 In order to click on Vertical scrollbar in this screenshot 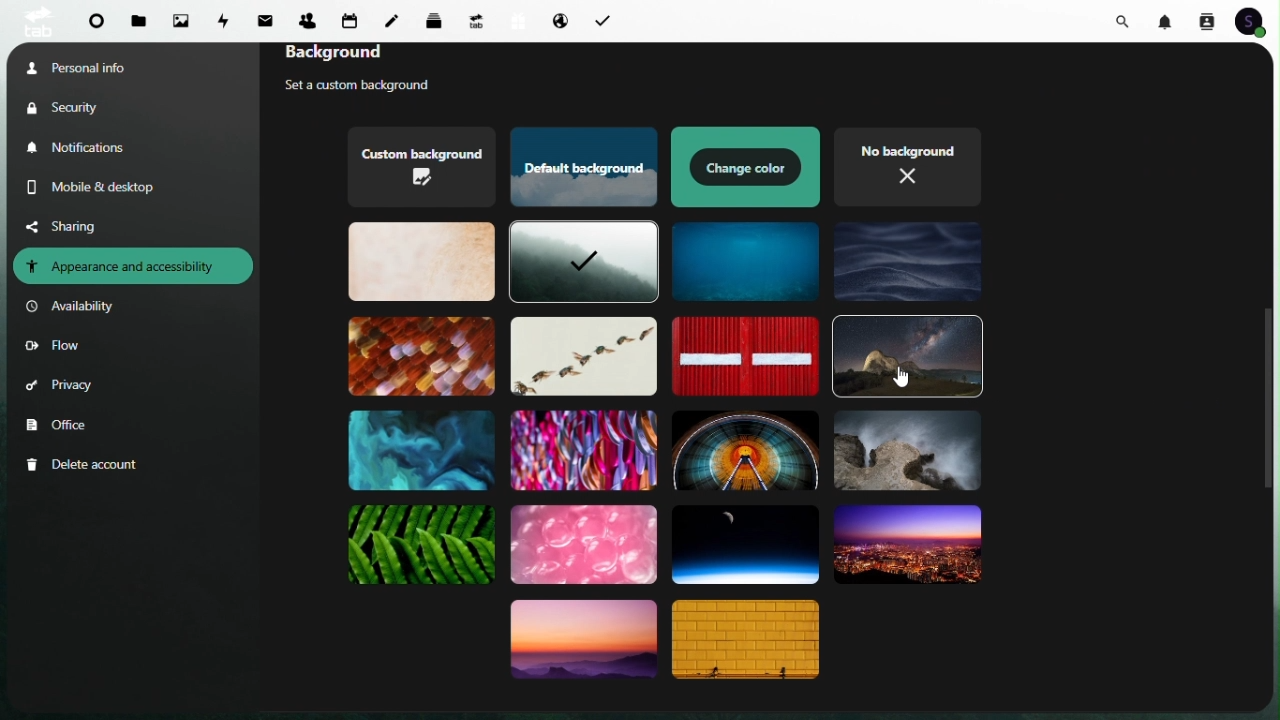, I will do `click(1269, 394)`.